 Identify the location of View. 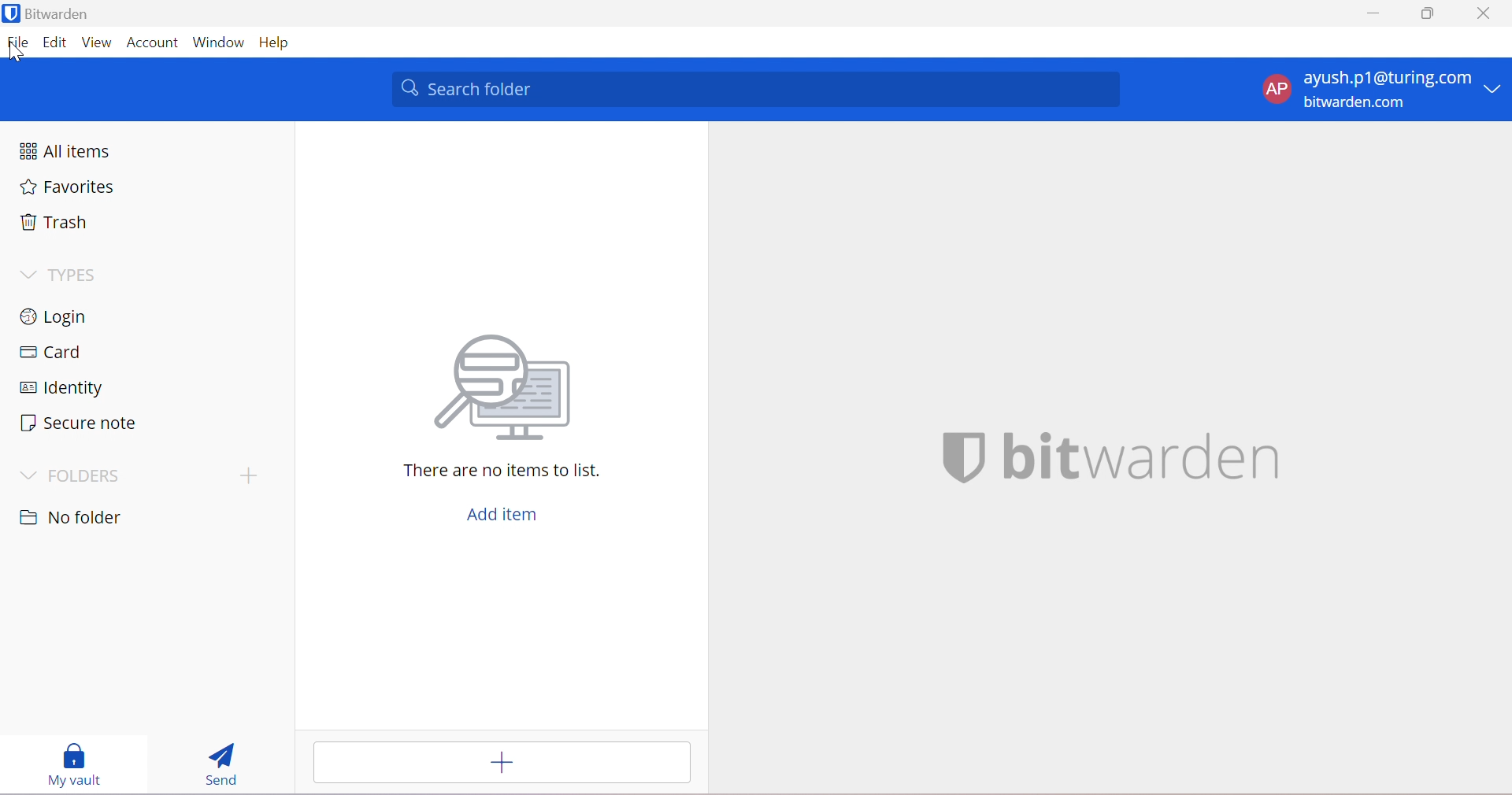
(98, 43).